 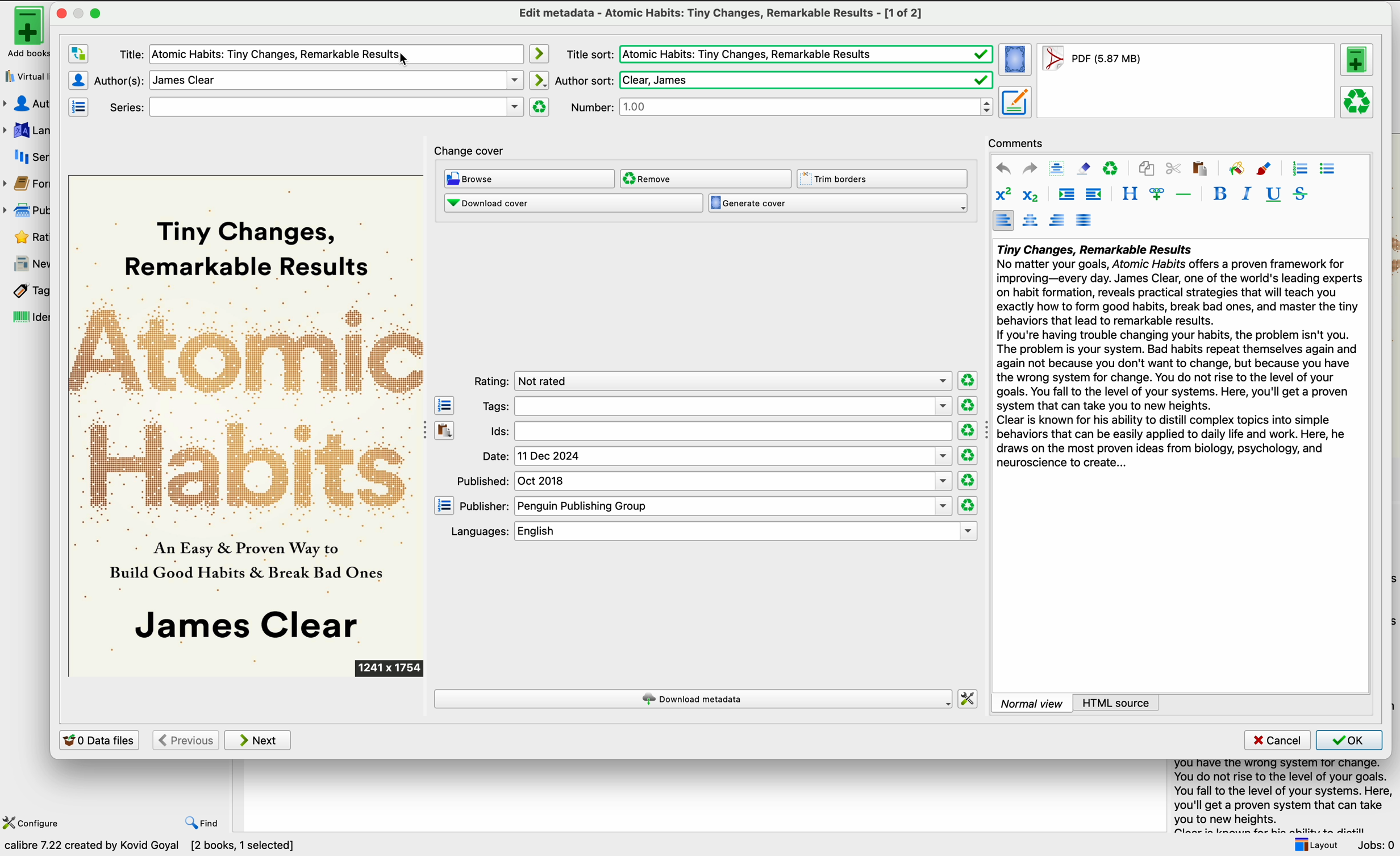 I want to click on authors, so click(x=28, y=104).